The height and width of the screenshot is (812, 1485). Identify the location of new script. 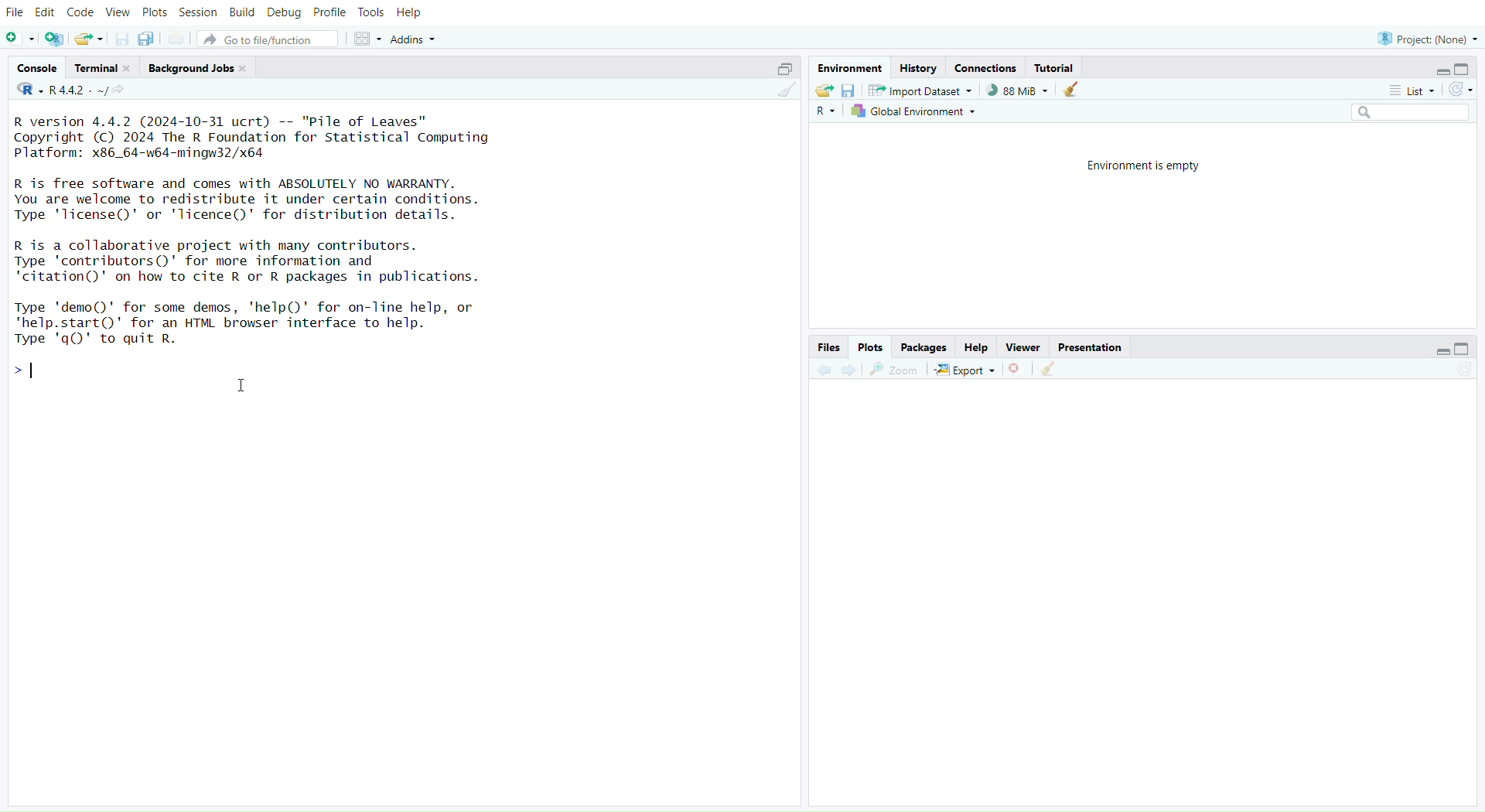
(19, 38).